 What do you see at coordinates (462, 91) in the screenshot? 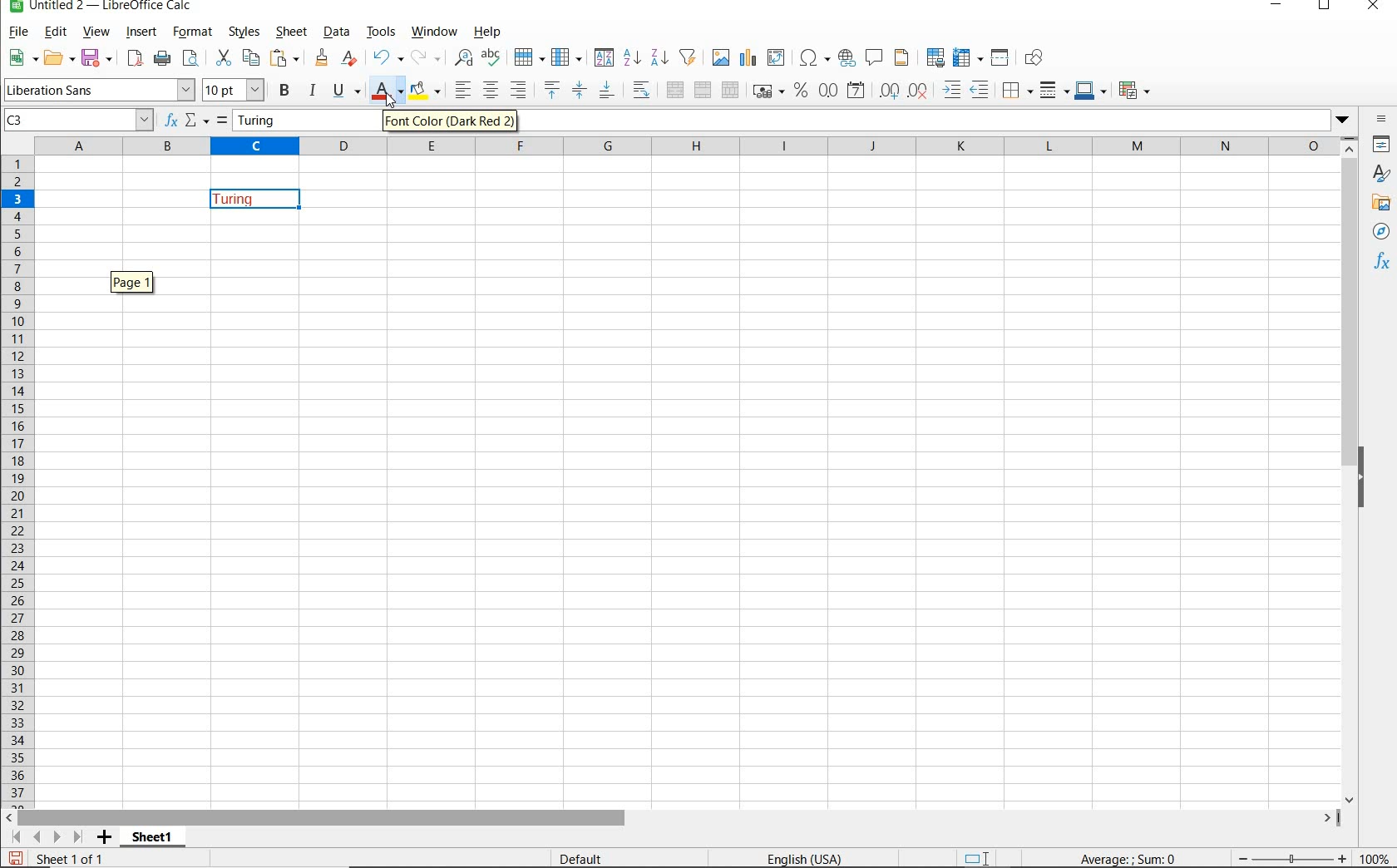
I see `ALIGN LEFT` at bounding box center [462, 91].